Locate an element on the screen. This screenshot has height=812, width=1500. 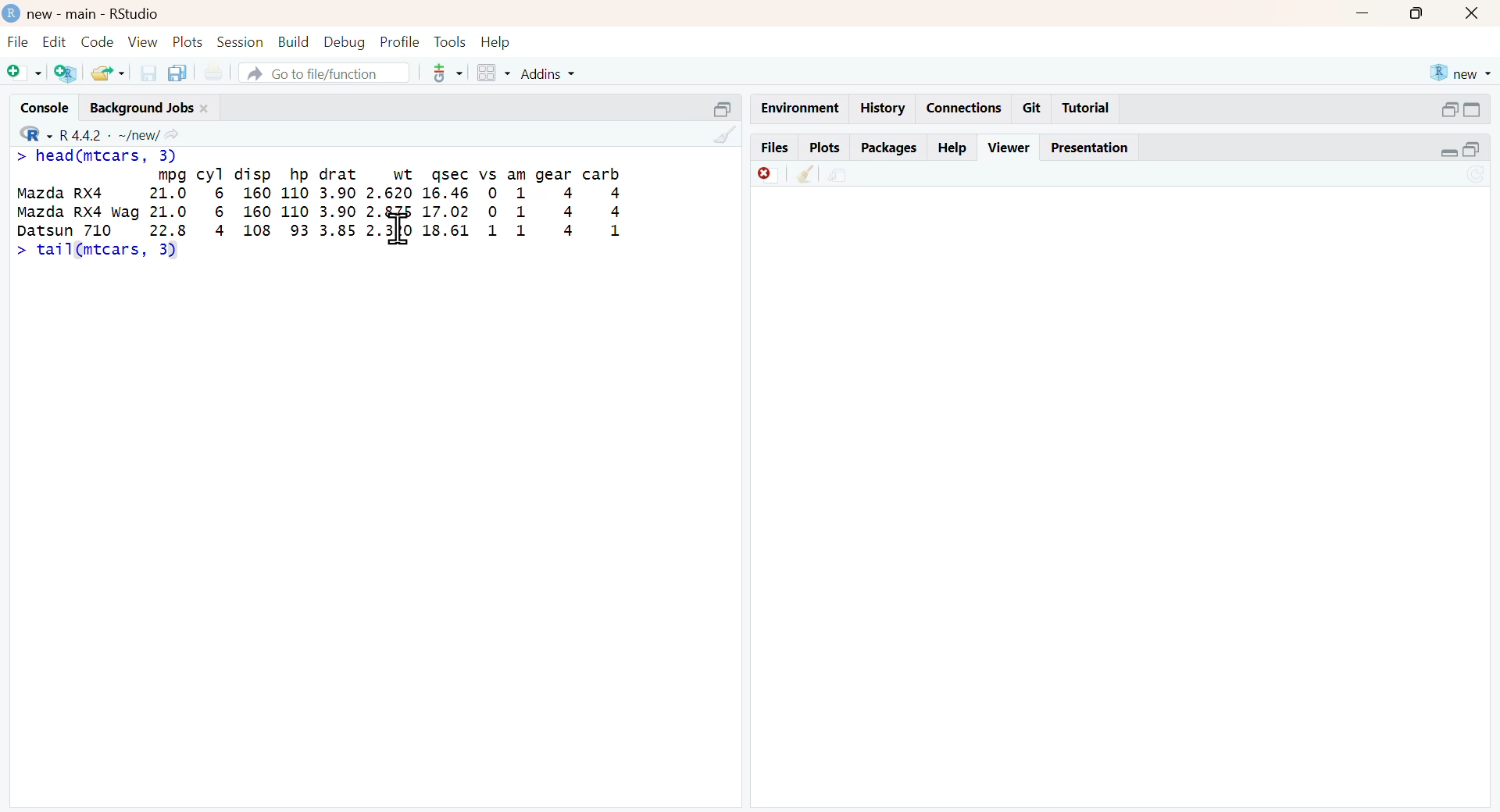
Files is located at coordinates (770, 146).